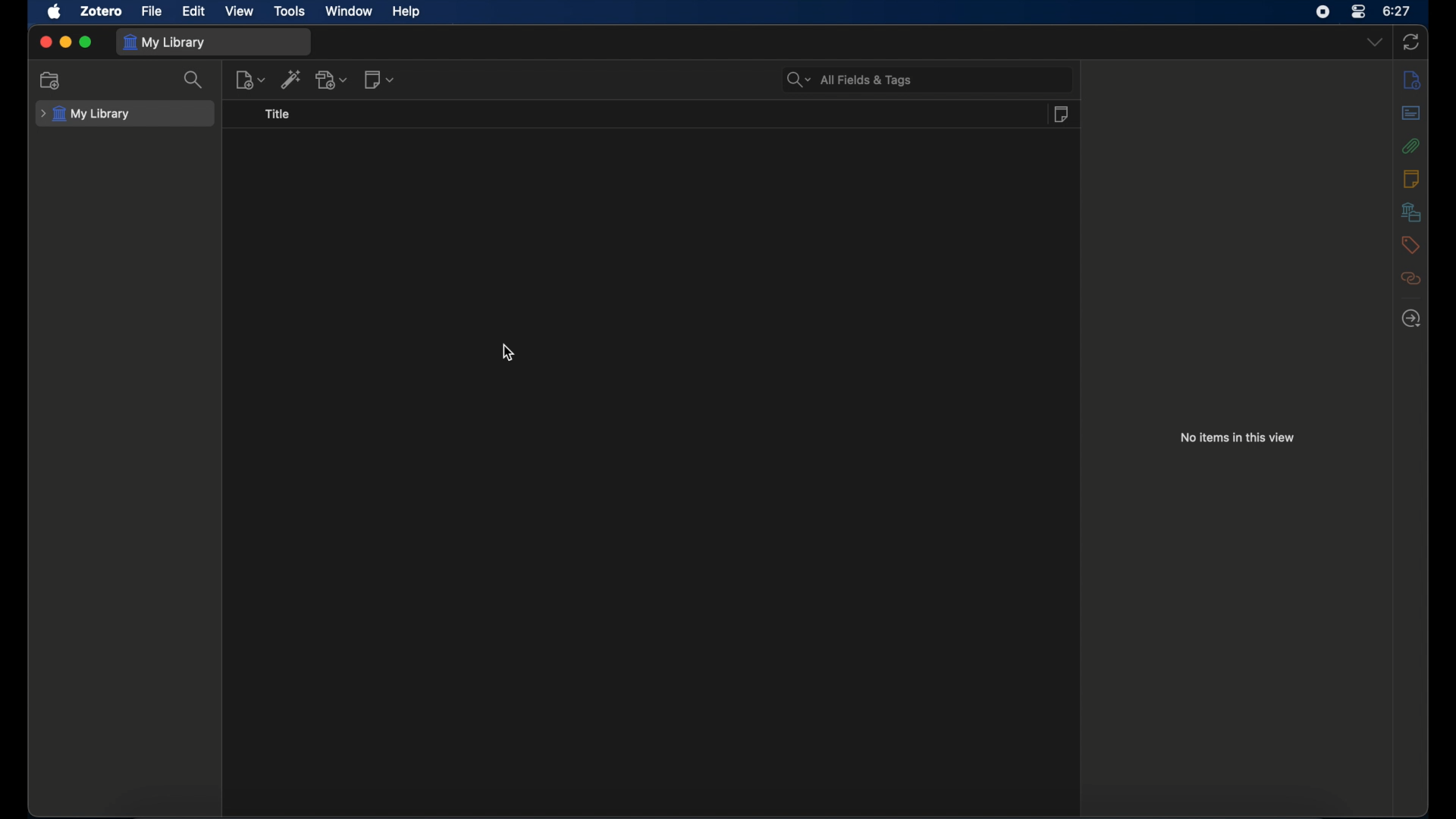 Image resolution: width=1456 pixels, height=819 pixels. What do you see at coordinates (51, 81) in the screenshot?
I see `new collection` at bounding box center [51, 81].